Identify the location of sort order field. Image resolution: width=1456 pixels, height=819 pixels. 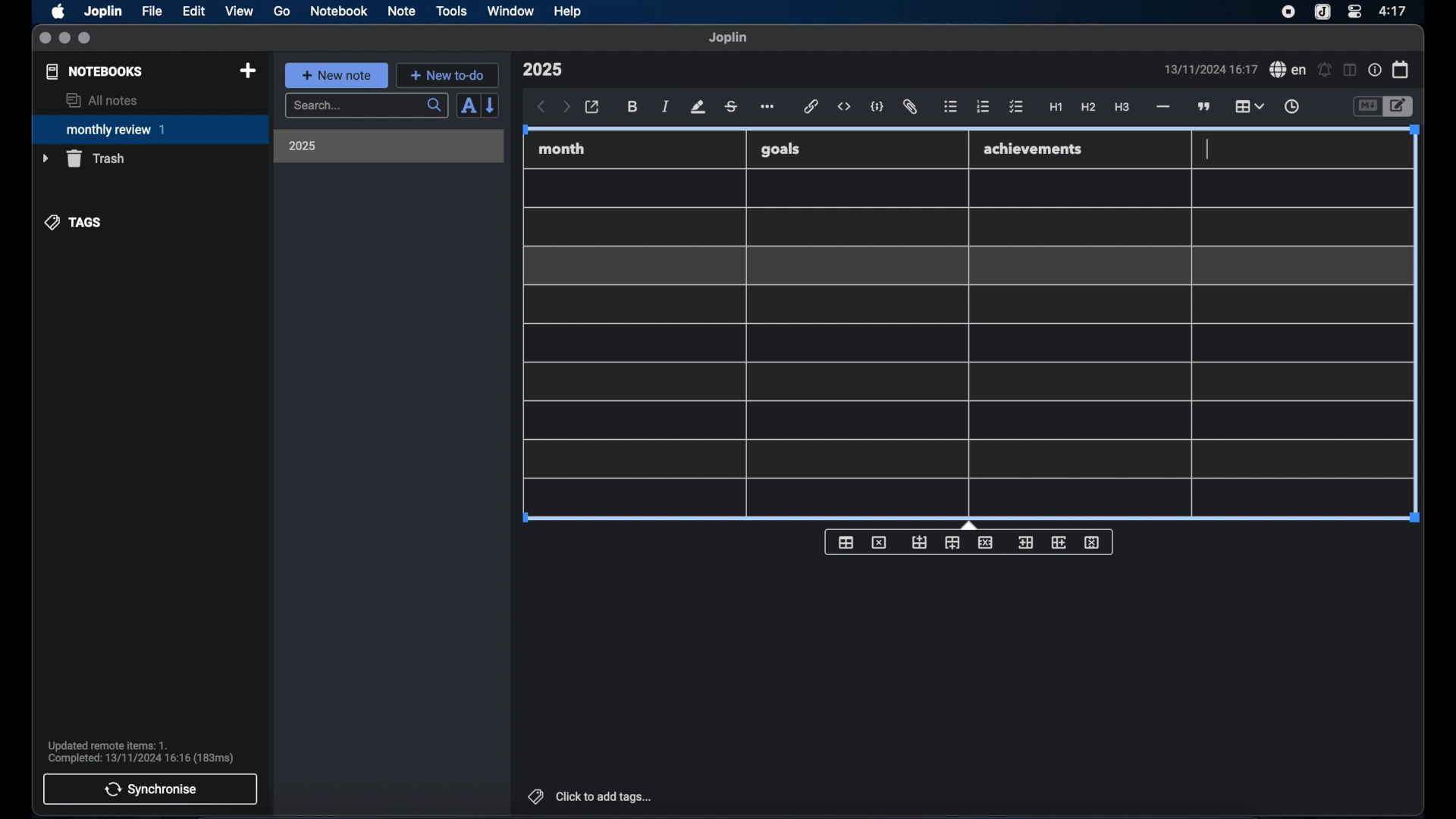
(468, 106).